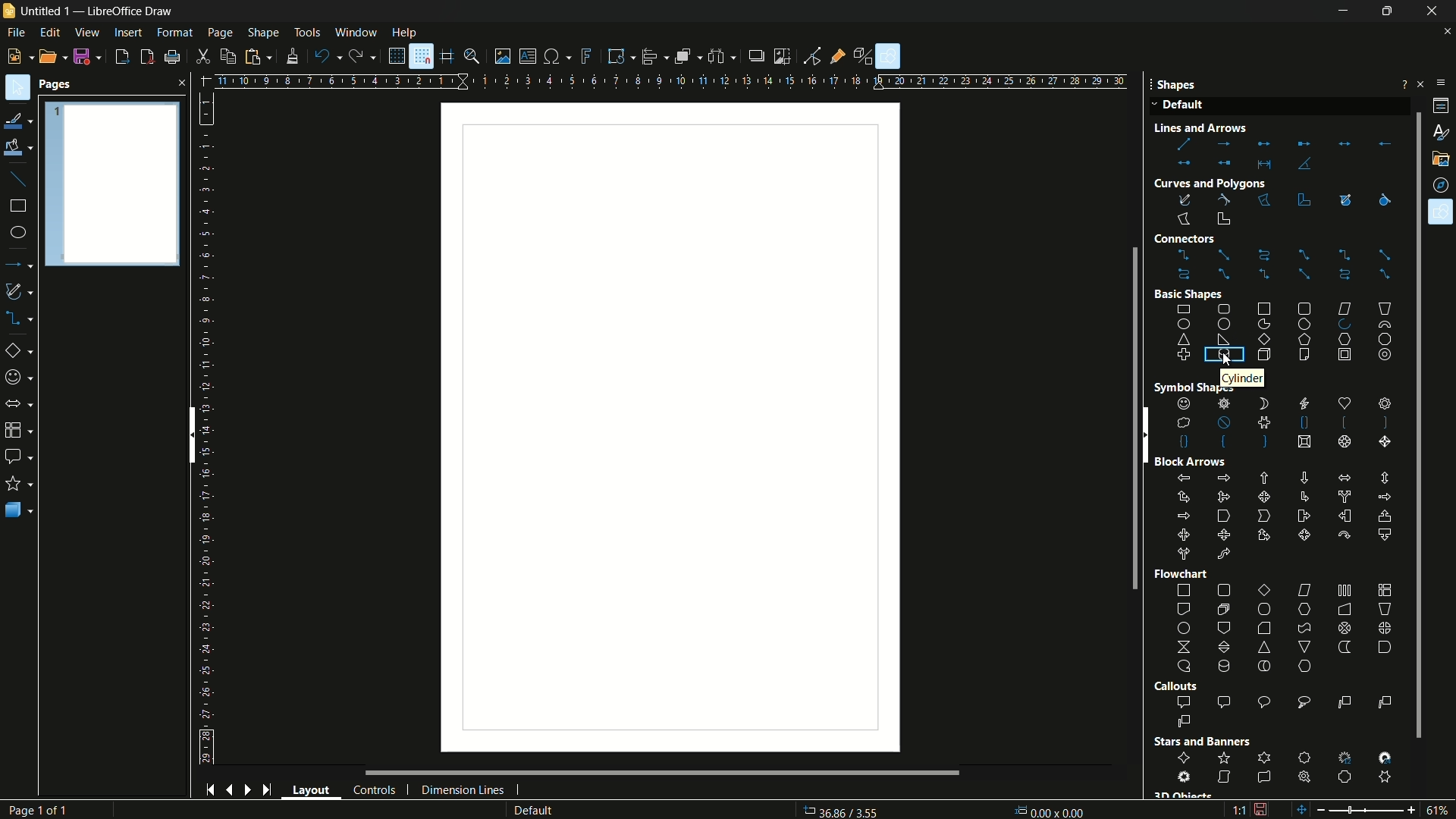  I want to click on connectors, so click(1284, 265).